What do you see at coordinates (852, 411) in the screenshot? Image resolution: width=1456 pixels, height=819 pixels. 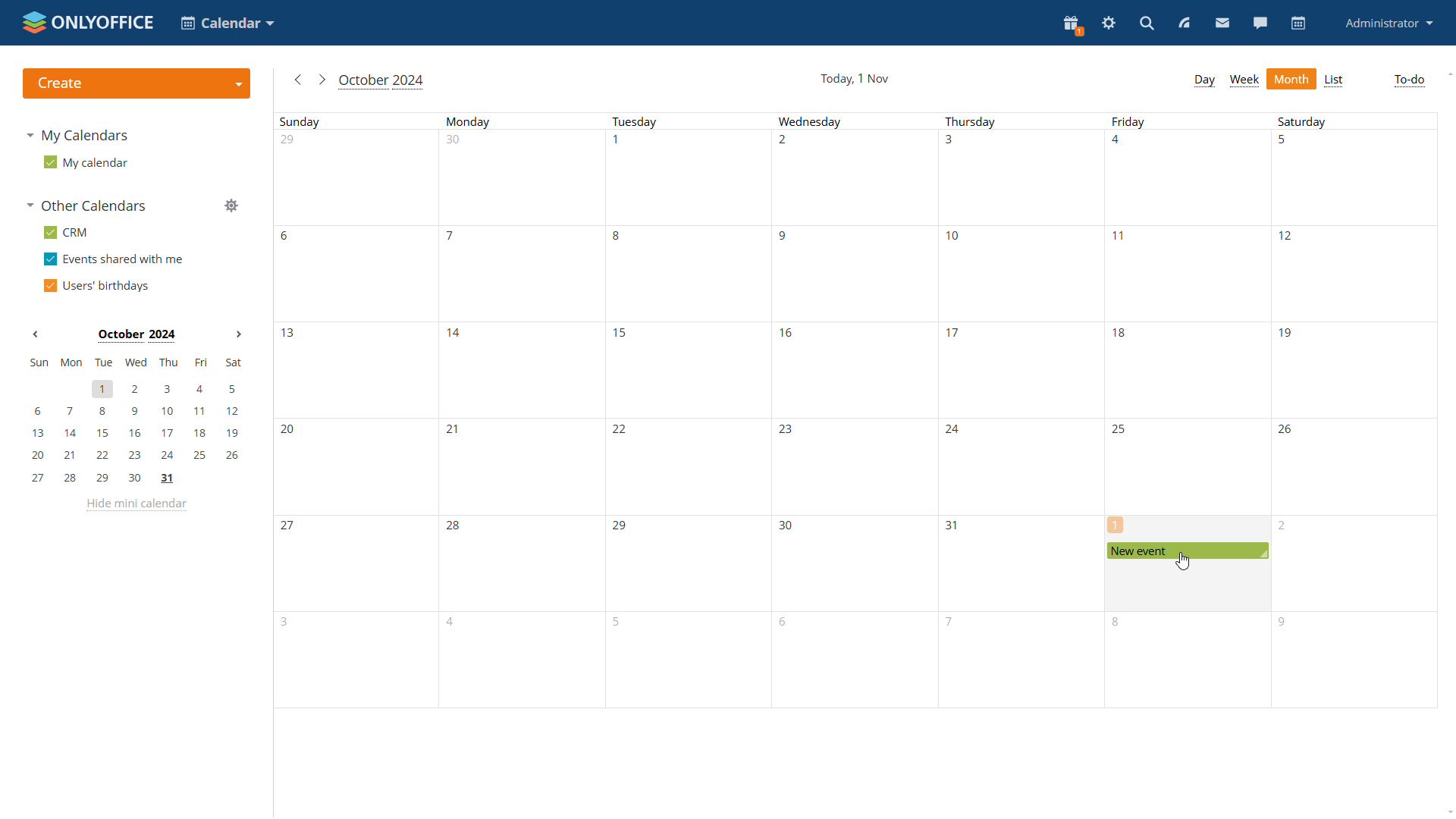 I see `Wednesday` at bounding box center [852, 411].